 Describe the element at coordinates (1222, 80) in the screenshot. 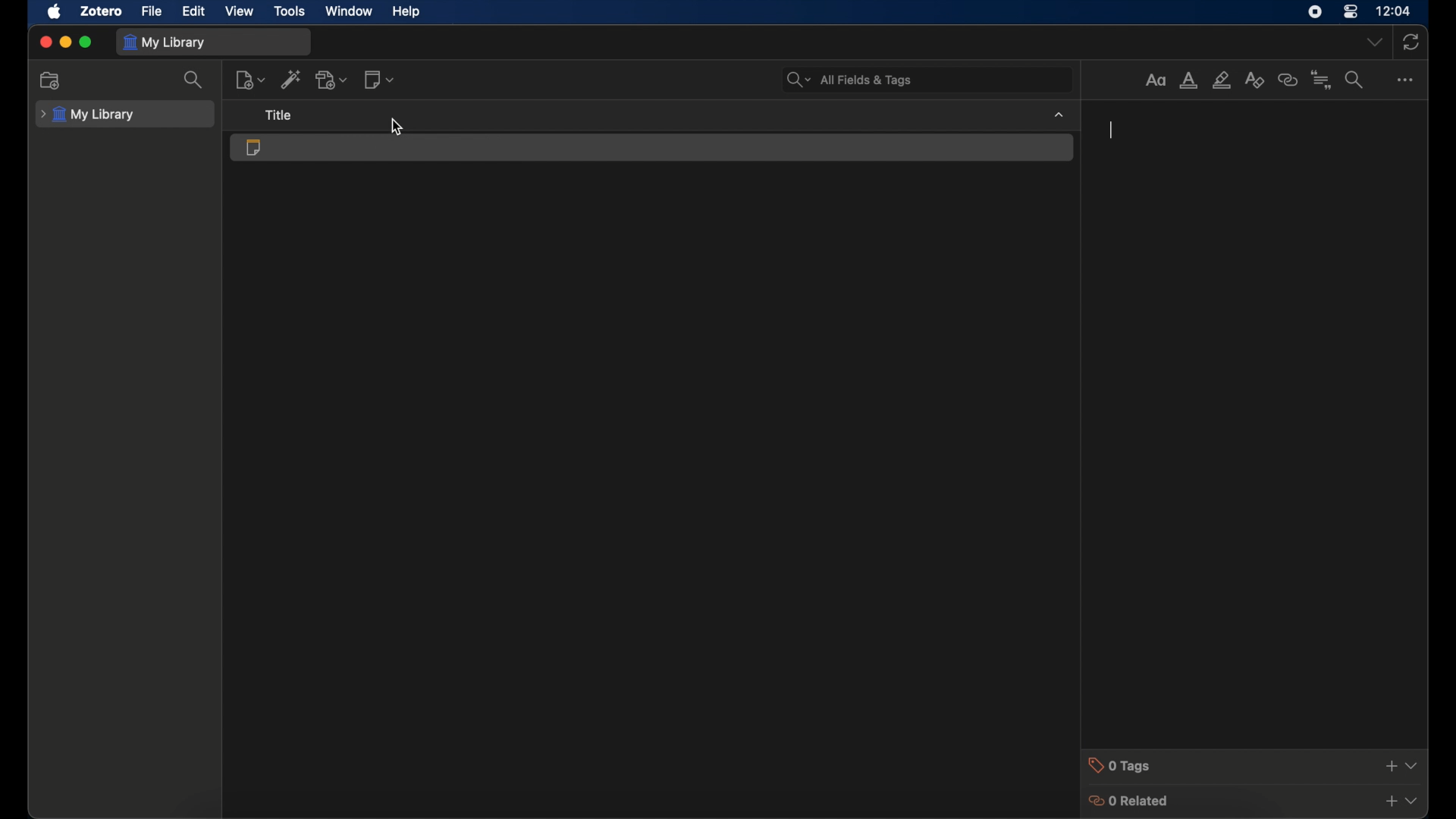

I see `highlight text` at that location.